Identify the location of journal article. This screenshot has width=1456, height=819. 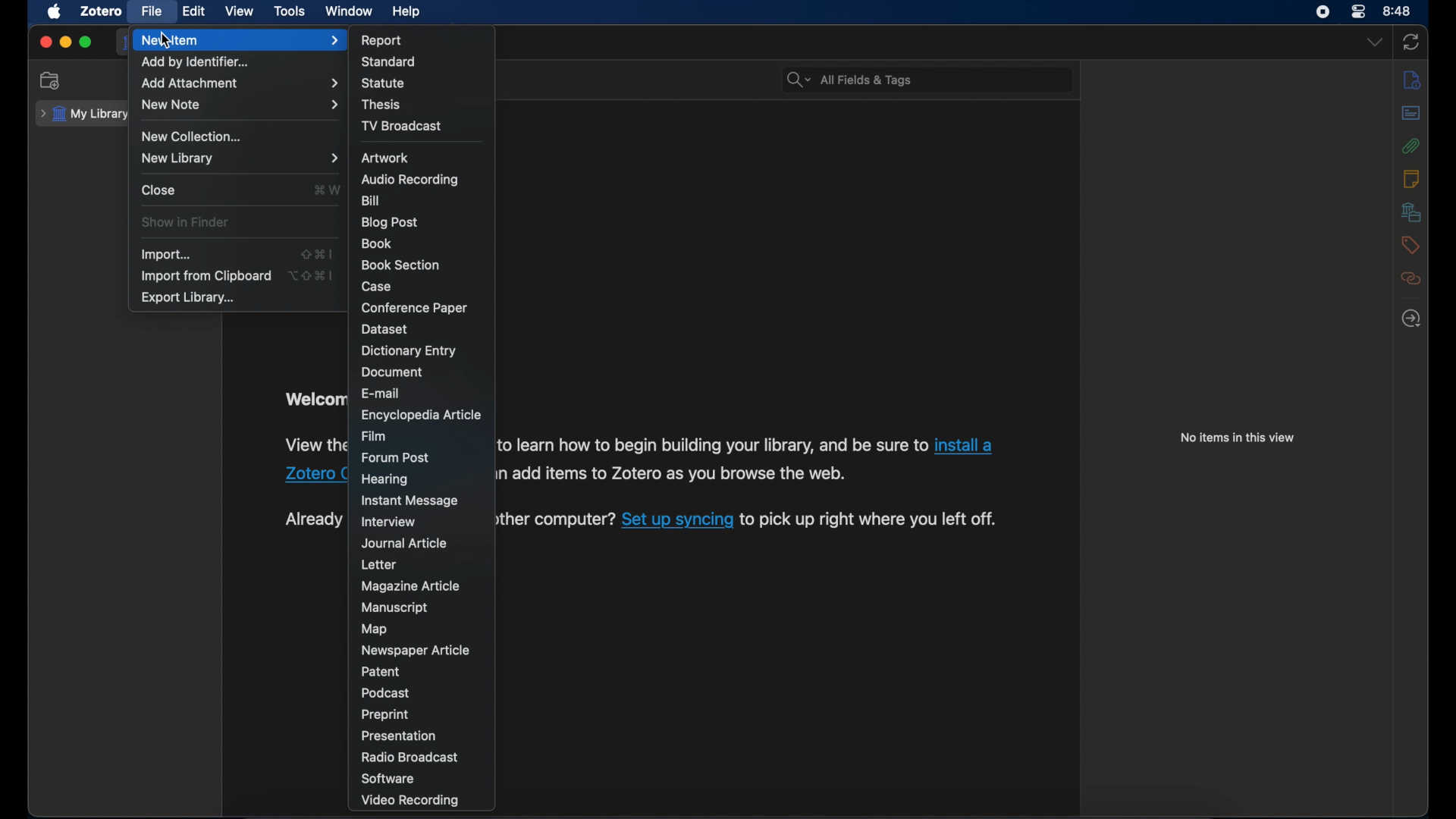
(403, 544).